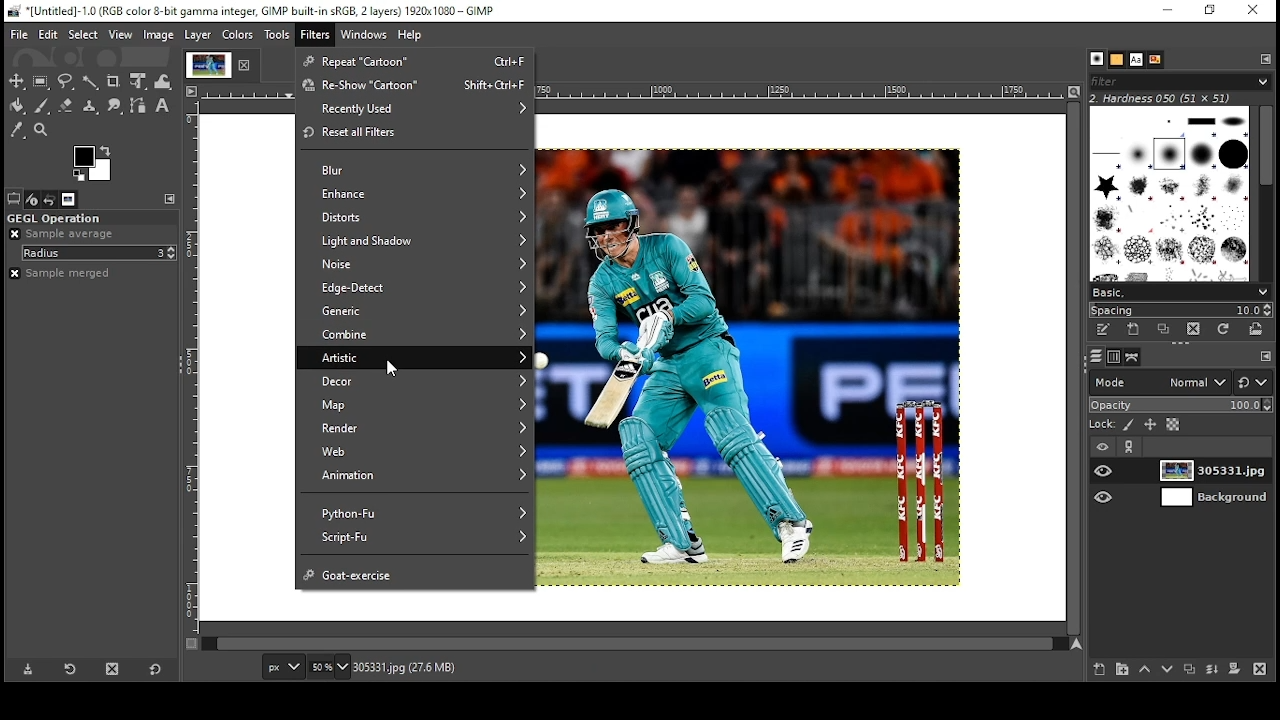  Describe the element at coordinates (416, 109) in the screenshot. I see `recently used` at that location.